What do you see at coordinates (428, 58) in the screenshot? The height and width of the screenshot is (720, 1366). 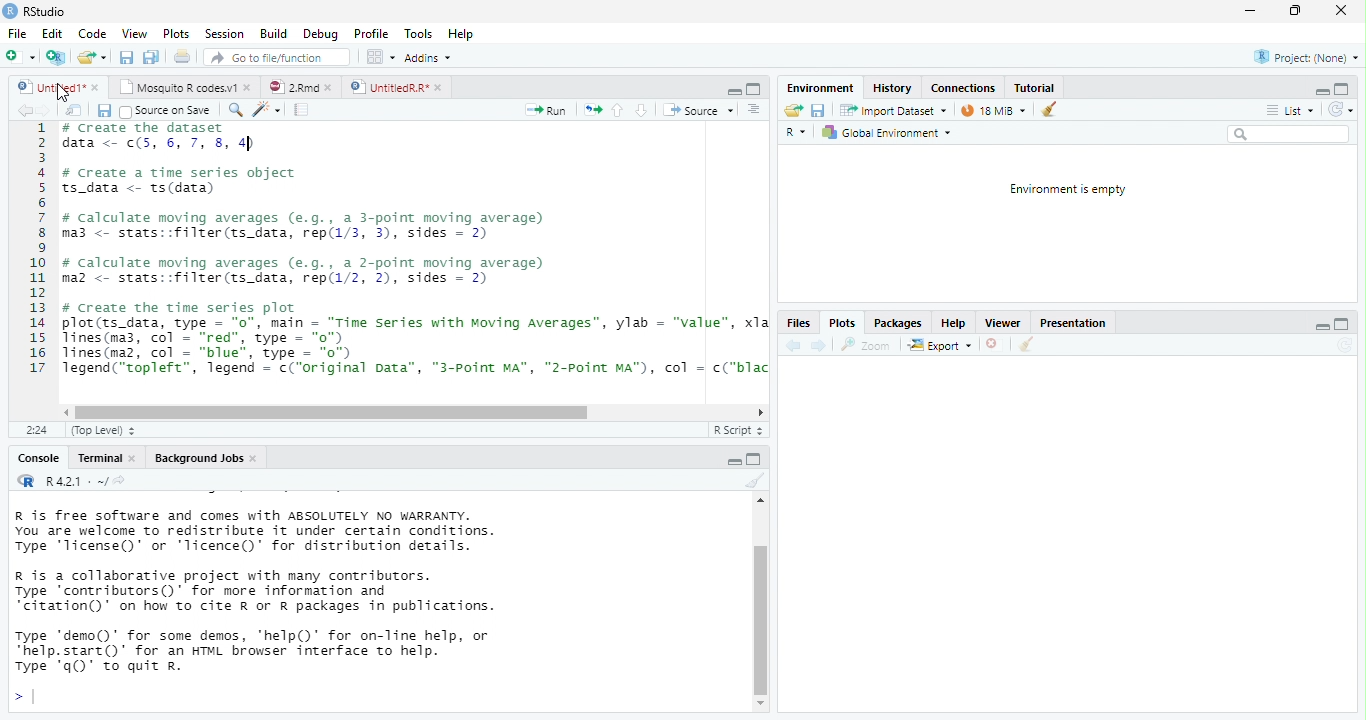 I see `Addins` at bounding box center [428, 58].